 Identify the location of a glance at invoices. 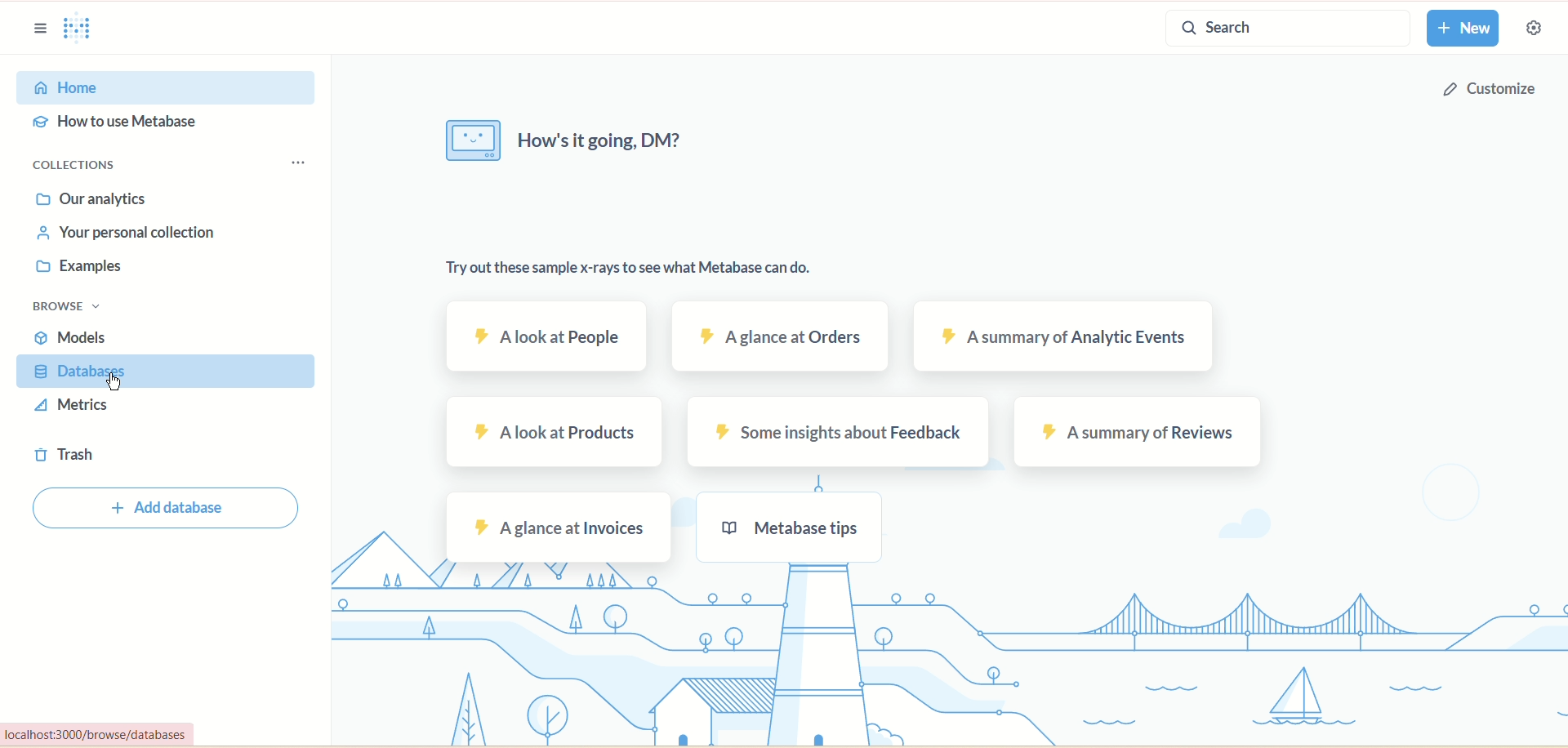
(561, 528).